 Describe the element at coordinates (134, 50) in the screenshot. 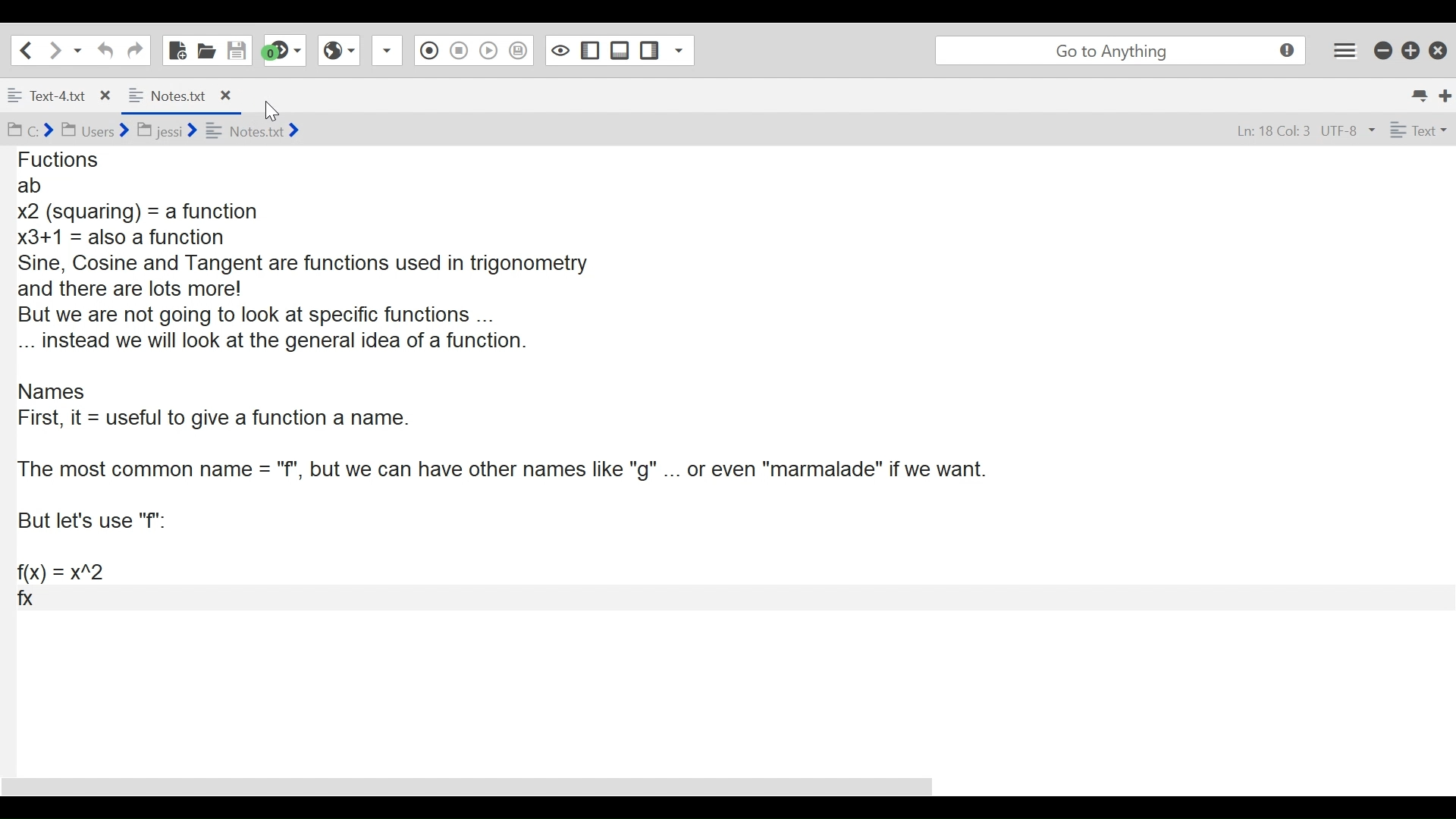

I see `Redo last action` at that location.